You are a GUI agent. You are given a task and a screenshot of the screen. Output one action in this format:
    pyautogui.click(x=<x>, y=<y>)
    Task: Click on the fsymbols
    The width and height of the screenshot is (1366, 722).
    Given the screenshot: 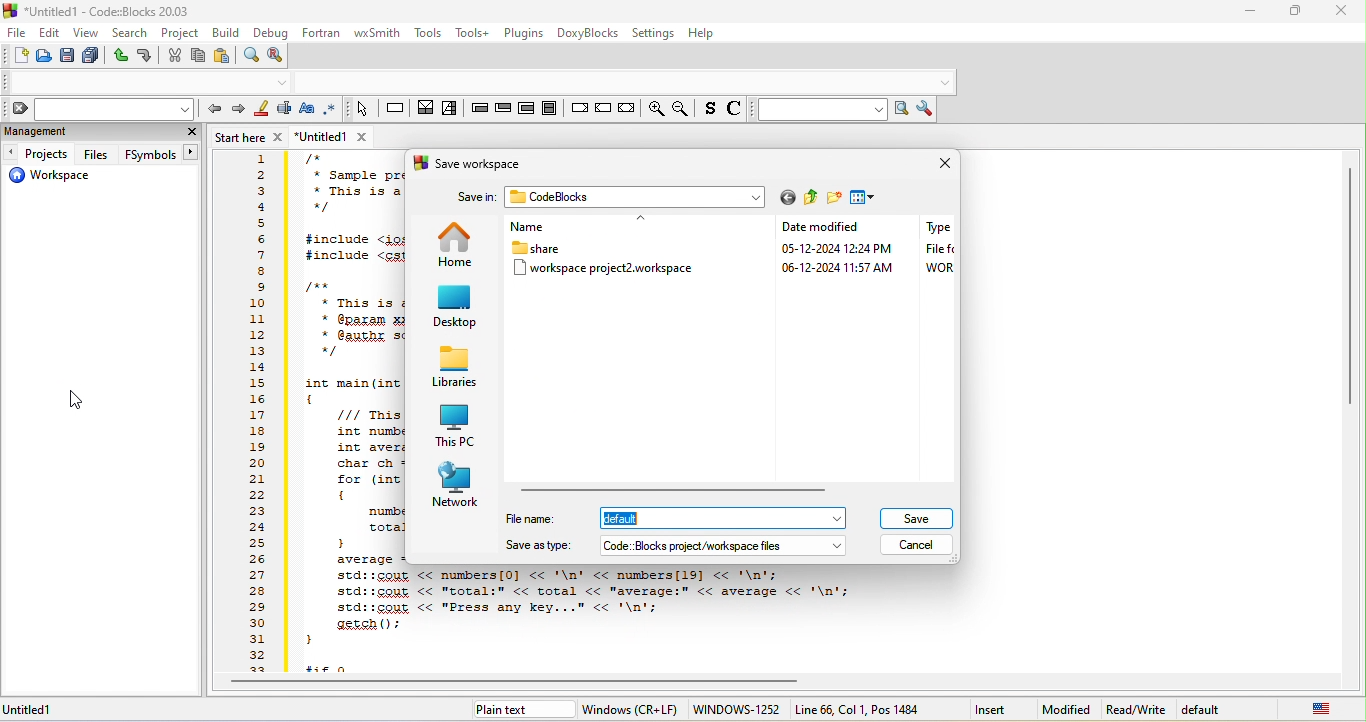 What is the action you would take?
    pyautogui.click(x=160, y=154)
    